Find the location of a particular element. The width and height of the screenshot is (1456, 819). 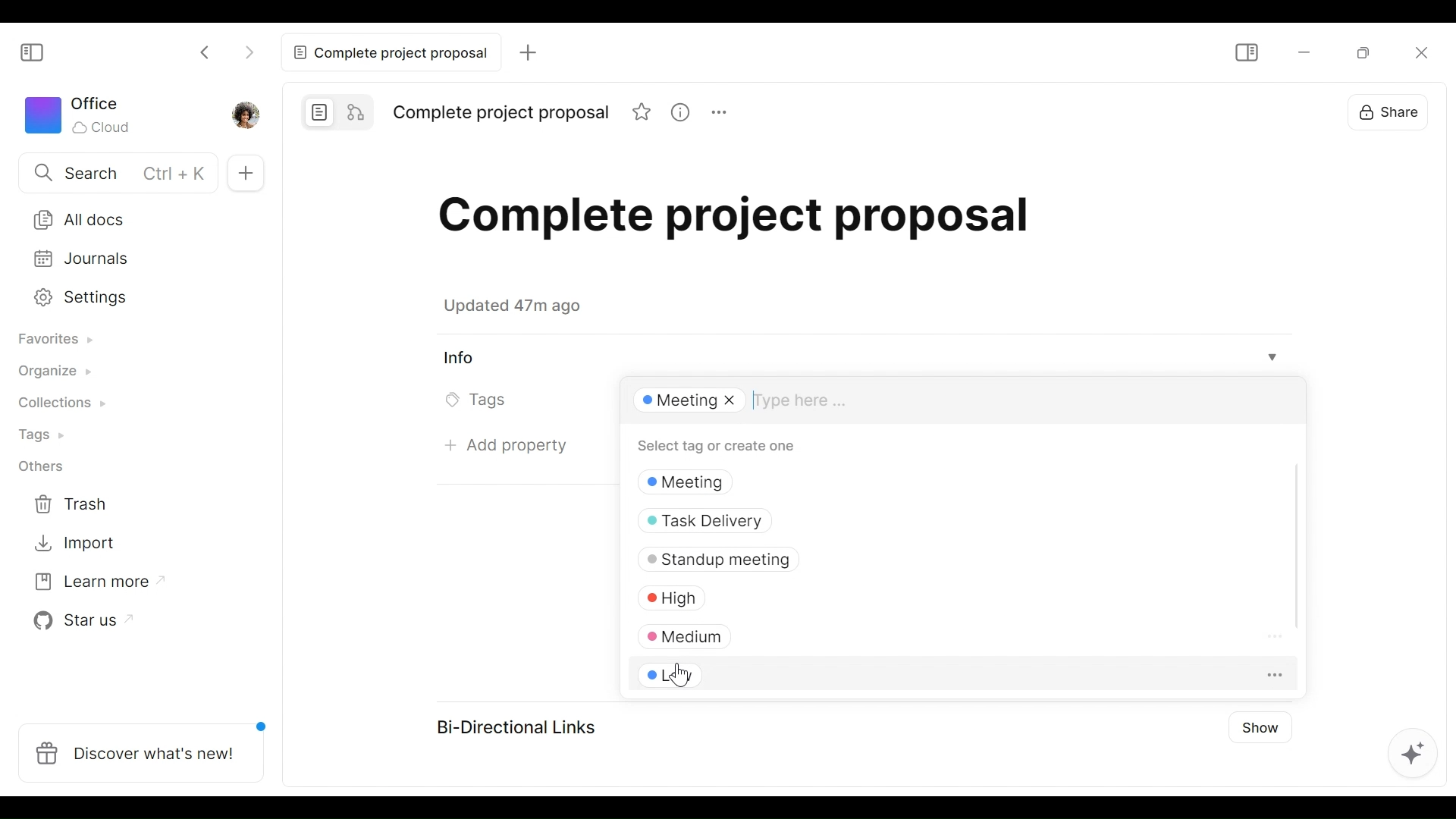

More options is located at coordinates (717, 111).